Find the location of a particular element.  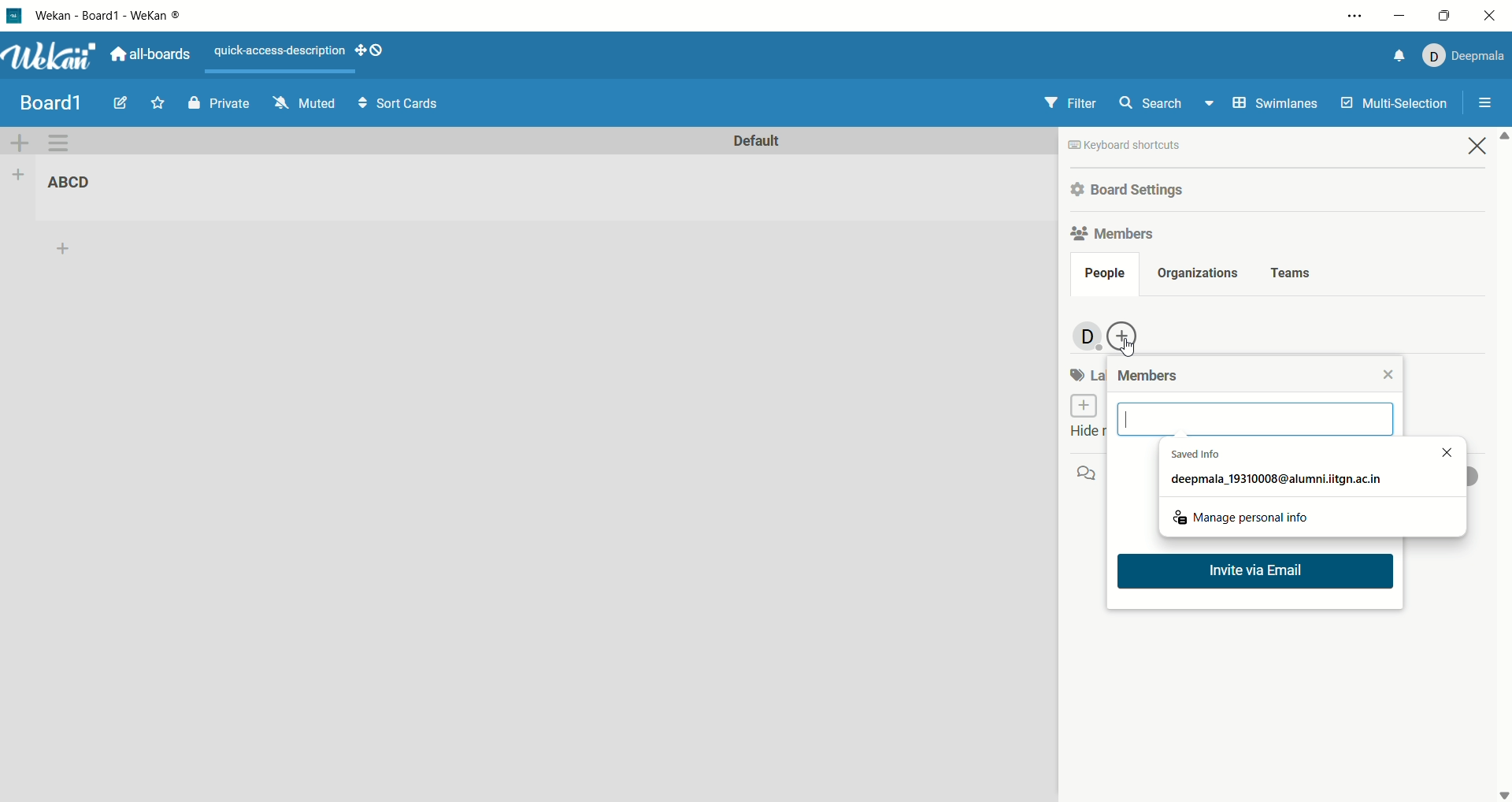

saved info is located at coordinates (1278, 470).